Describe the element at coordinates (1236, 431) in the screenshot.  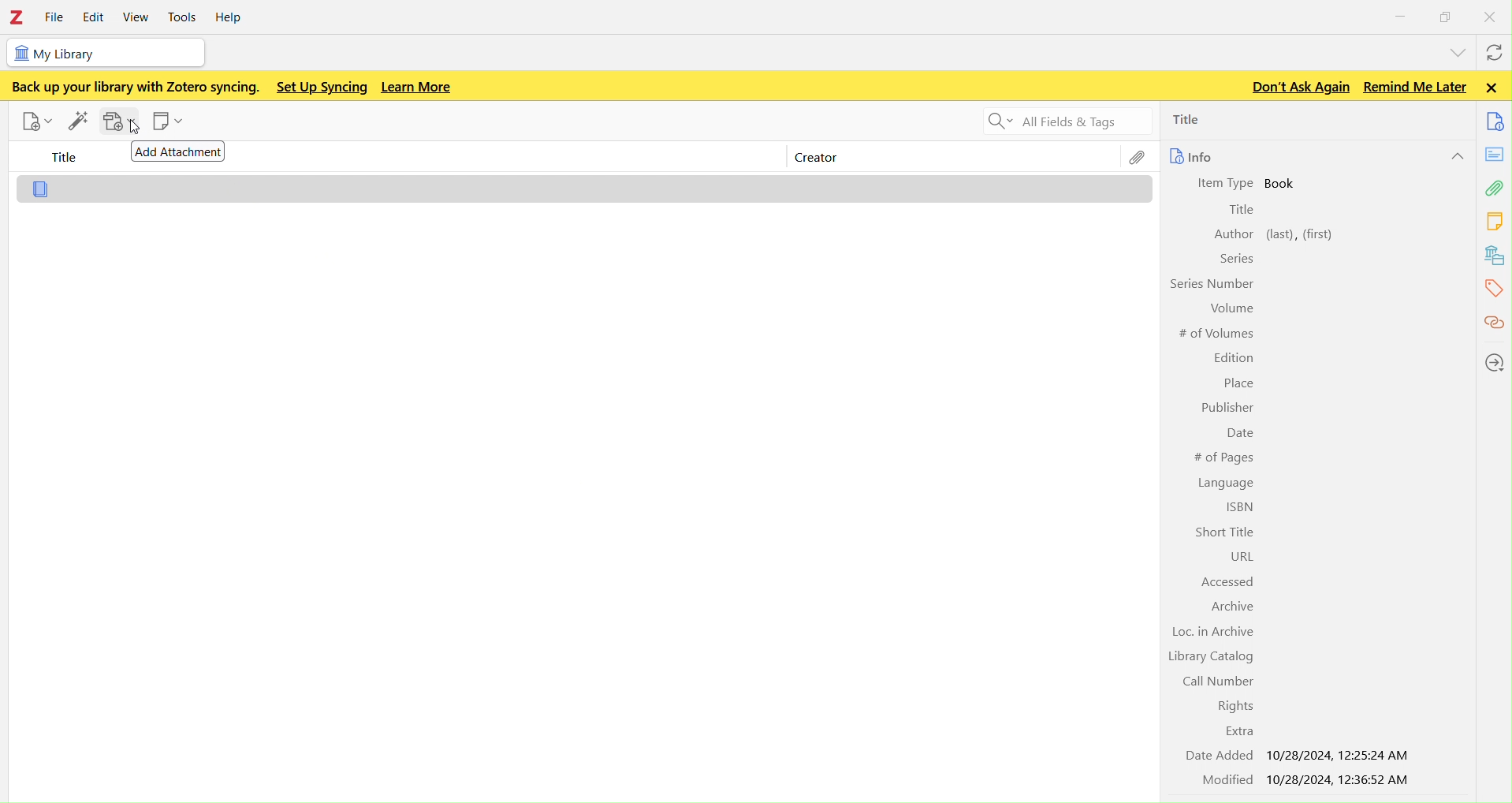
I see `Date` at that location.